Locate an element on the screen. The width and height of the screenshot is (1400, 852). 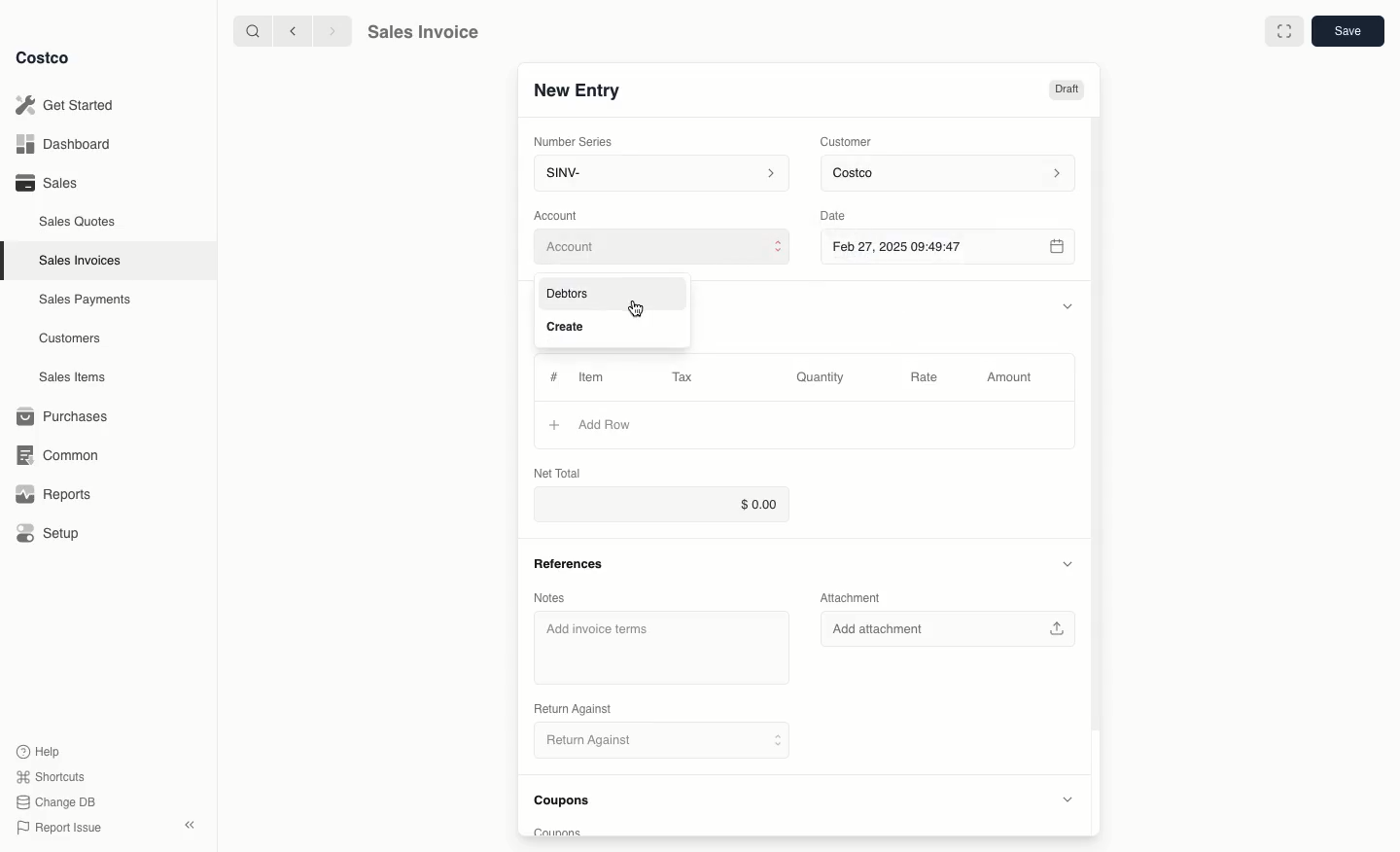
Report Issue is located at coordinates (59, 828).